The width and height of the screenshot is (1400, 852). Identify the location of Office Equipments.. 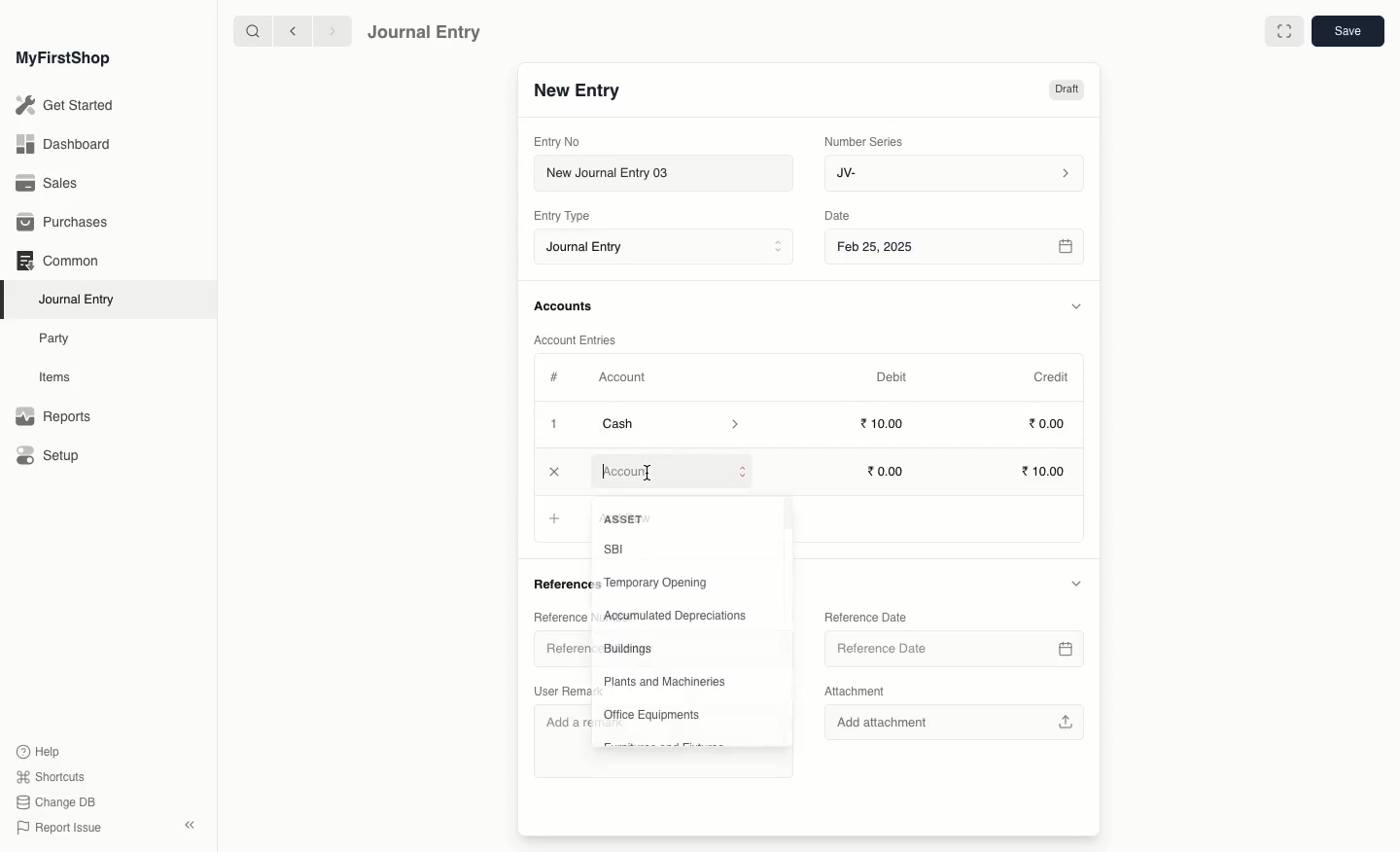
(654, 716).